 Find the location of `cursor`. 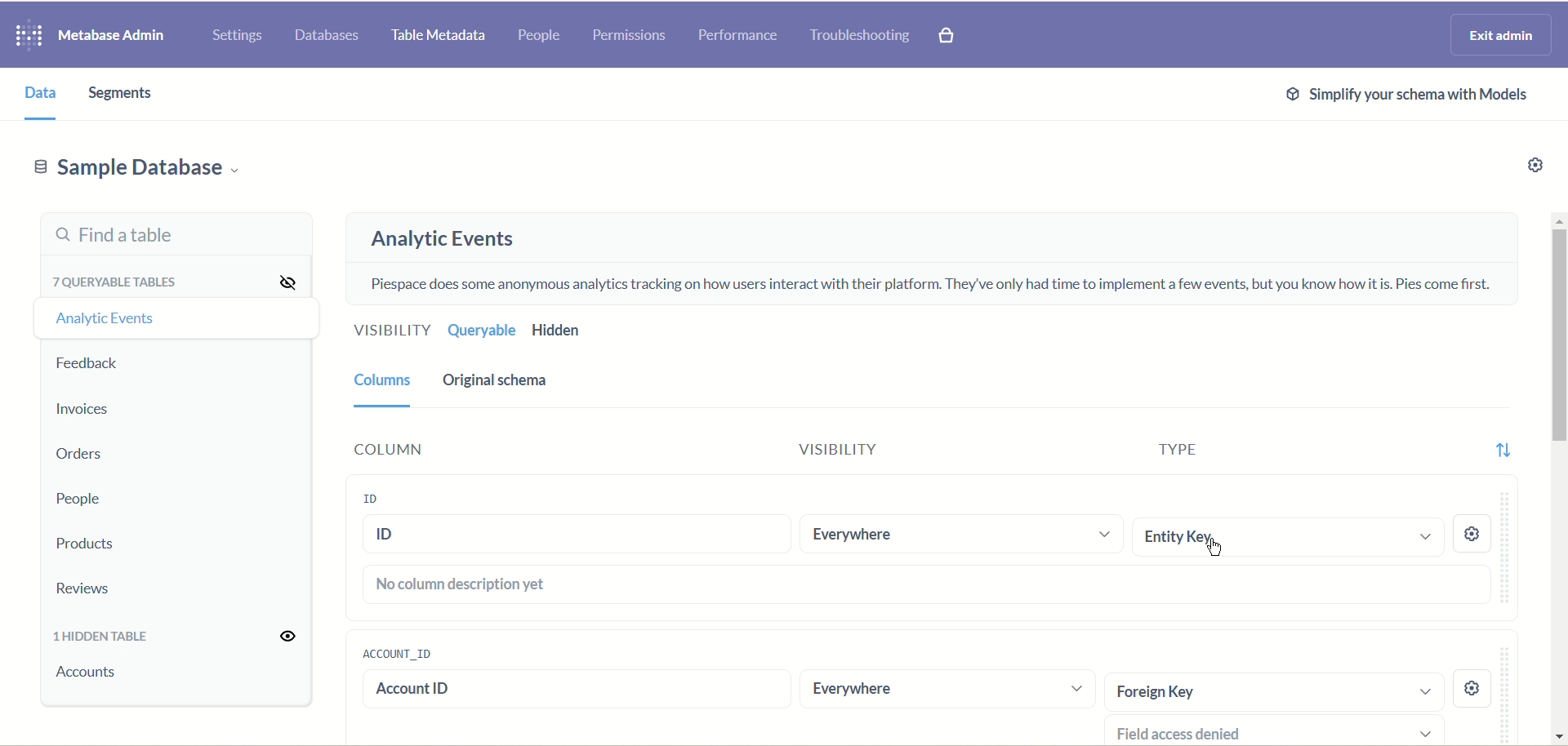

cursor is located at coordinates (1217, 548).